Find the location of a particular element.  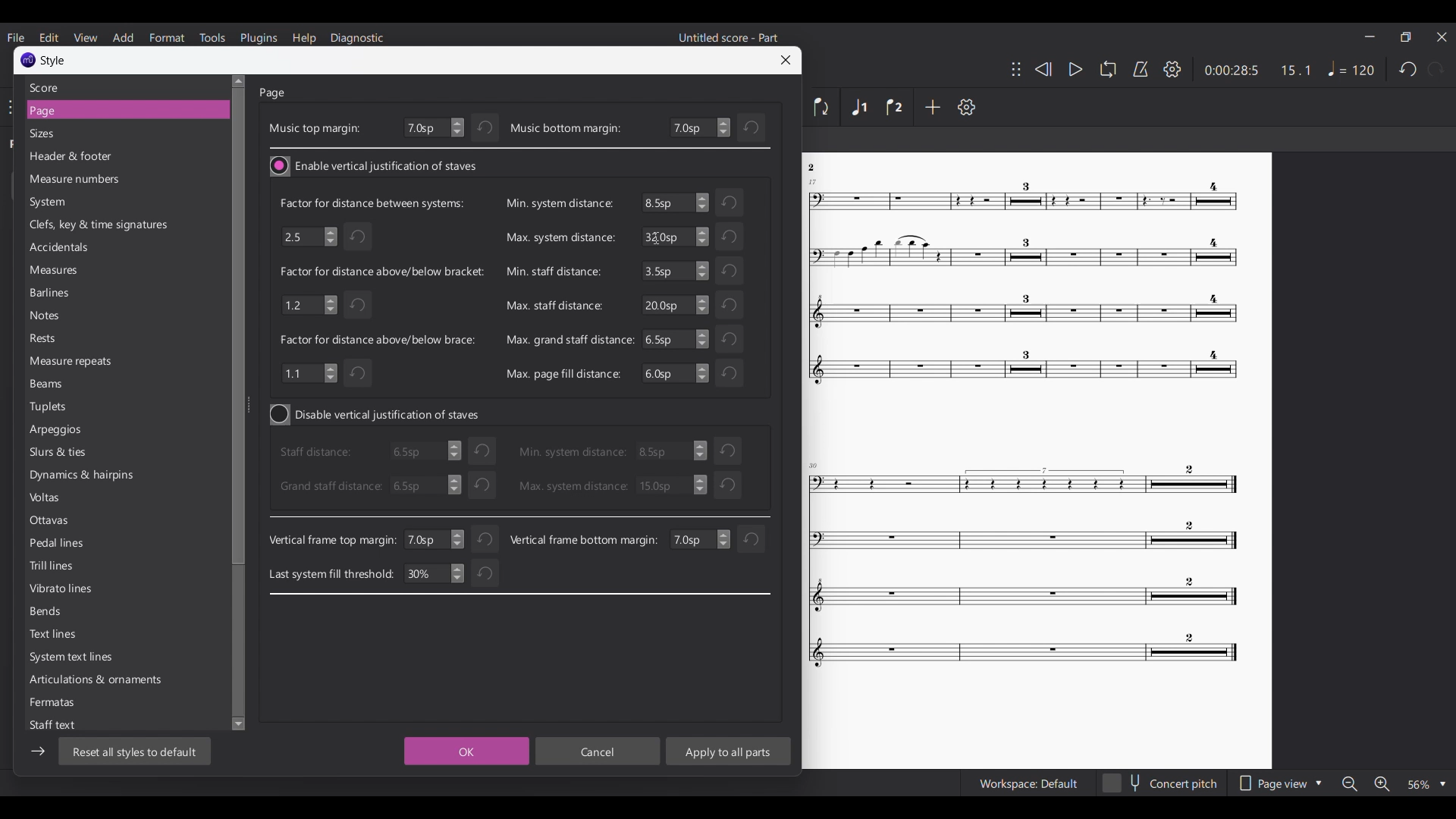

measure numbers is located at coordinates (112, 180).